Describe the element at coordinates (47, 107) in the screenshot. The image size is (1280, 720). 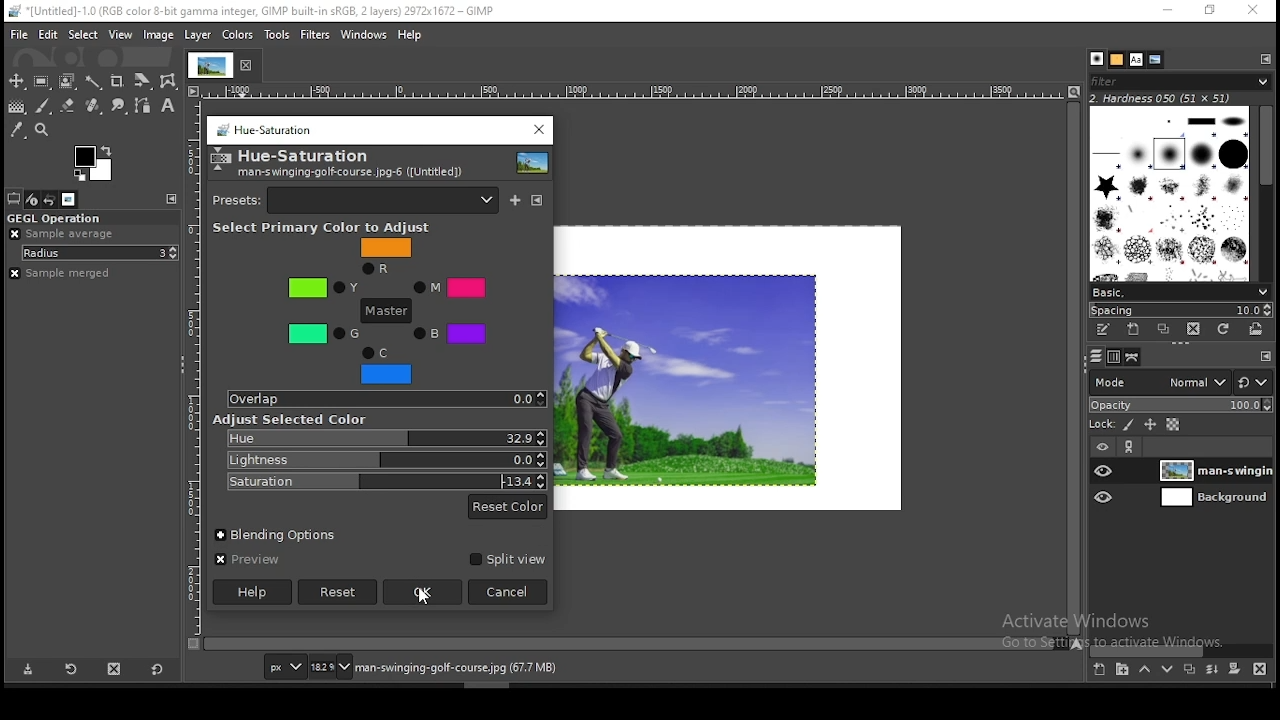
I see `brush tool` at that location.